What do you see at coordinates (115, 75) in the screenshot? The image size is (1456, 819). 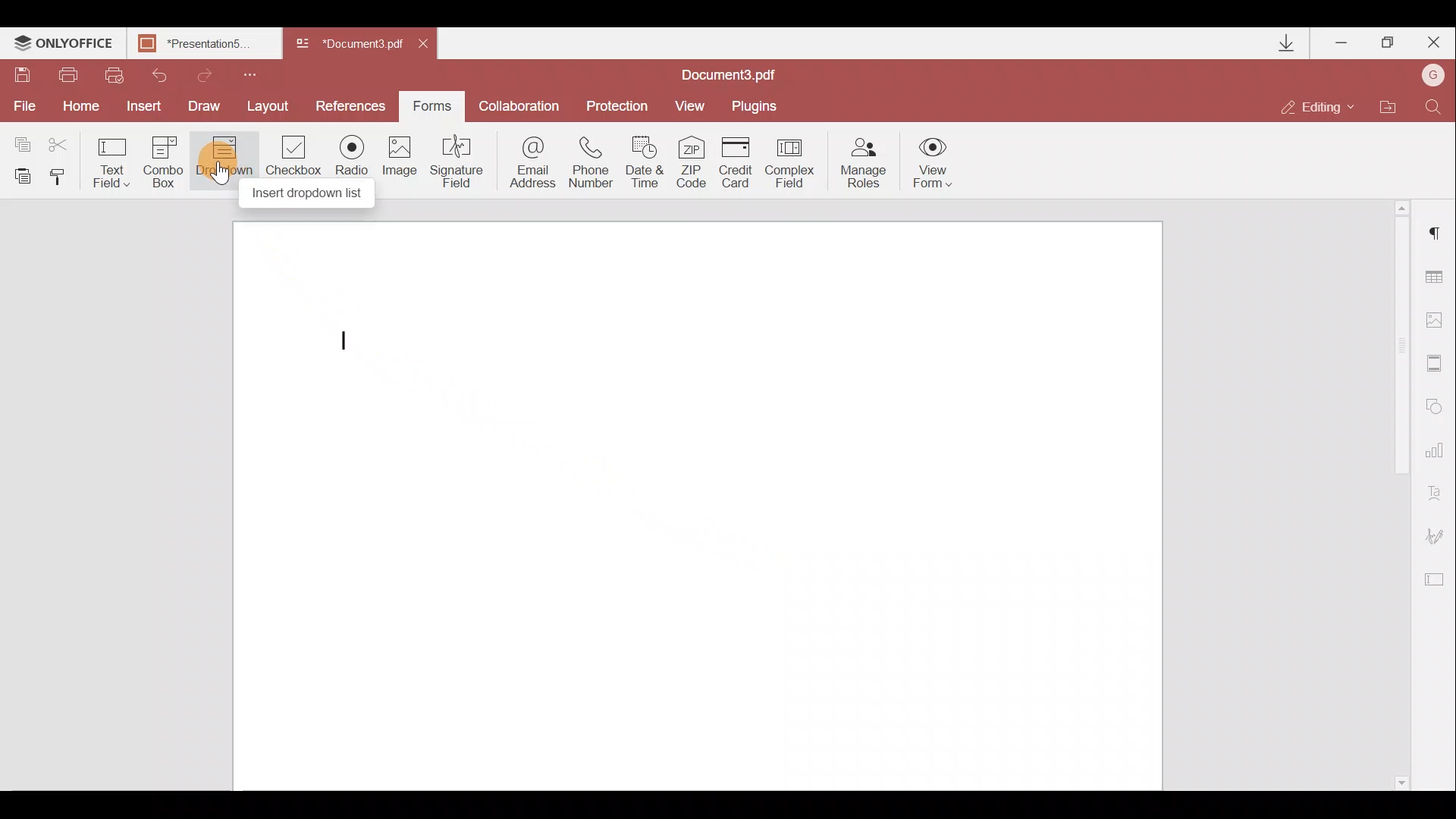 I see `Quick print` at bounding box center [115, 75].